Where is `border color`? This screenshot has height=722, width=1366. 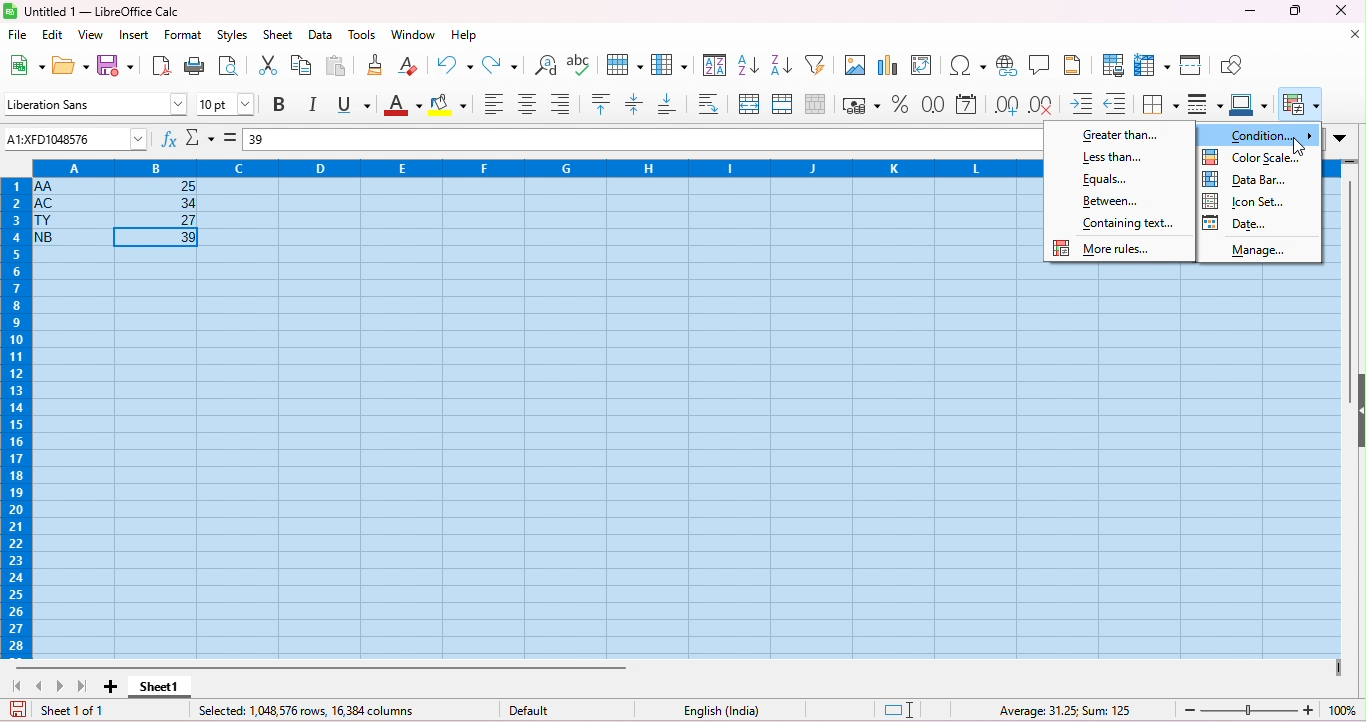 border color is located at coordinates (1251, 104).